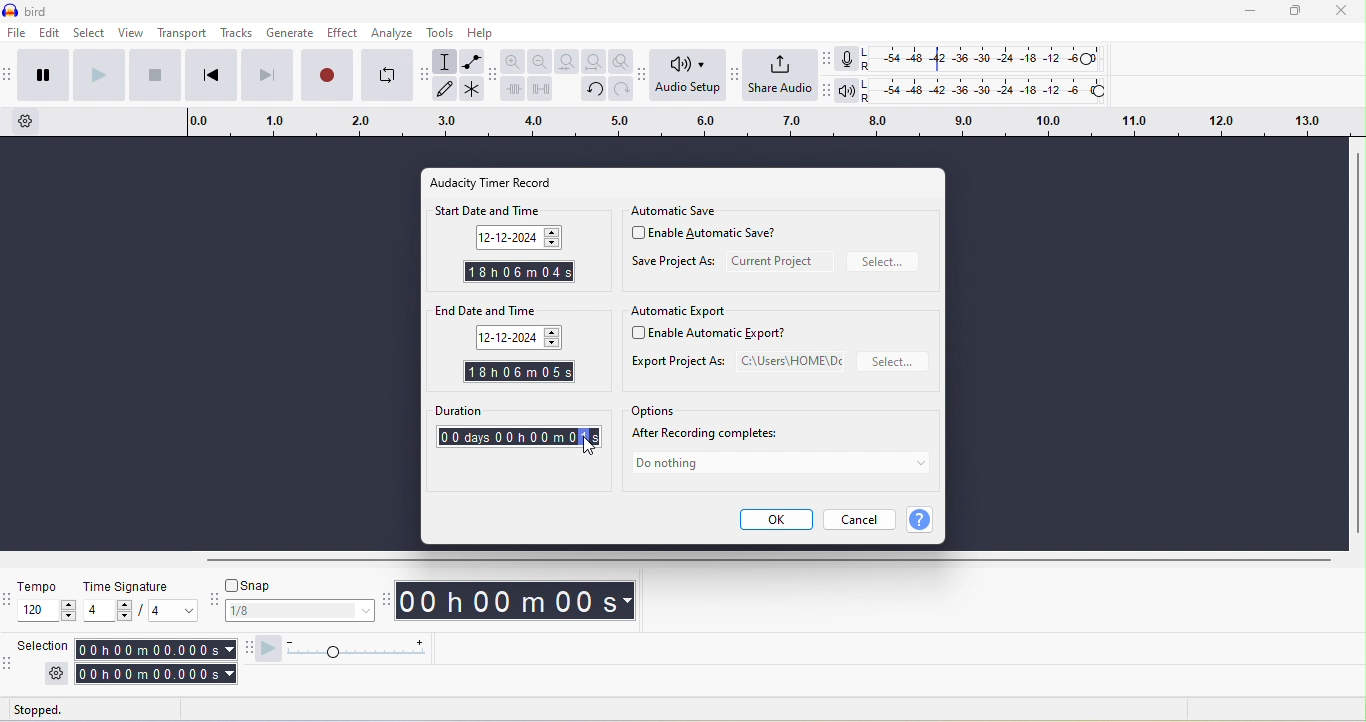 This screenshot has width=1366, height=722. Describe the element at coordinates (214, 600) in the screenshot. I see `audacity snapping toolbar` at that location.